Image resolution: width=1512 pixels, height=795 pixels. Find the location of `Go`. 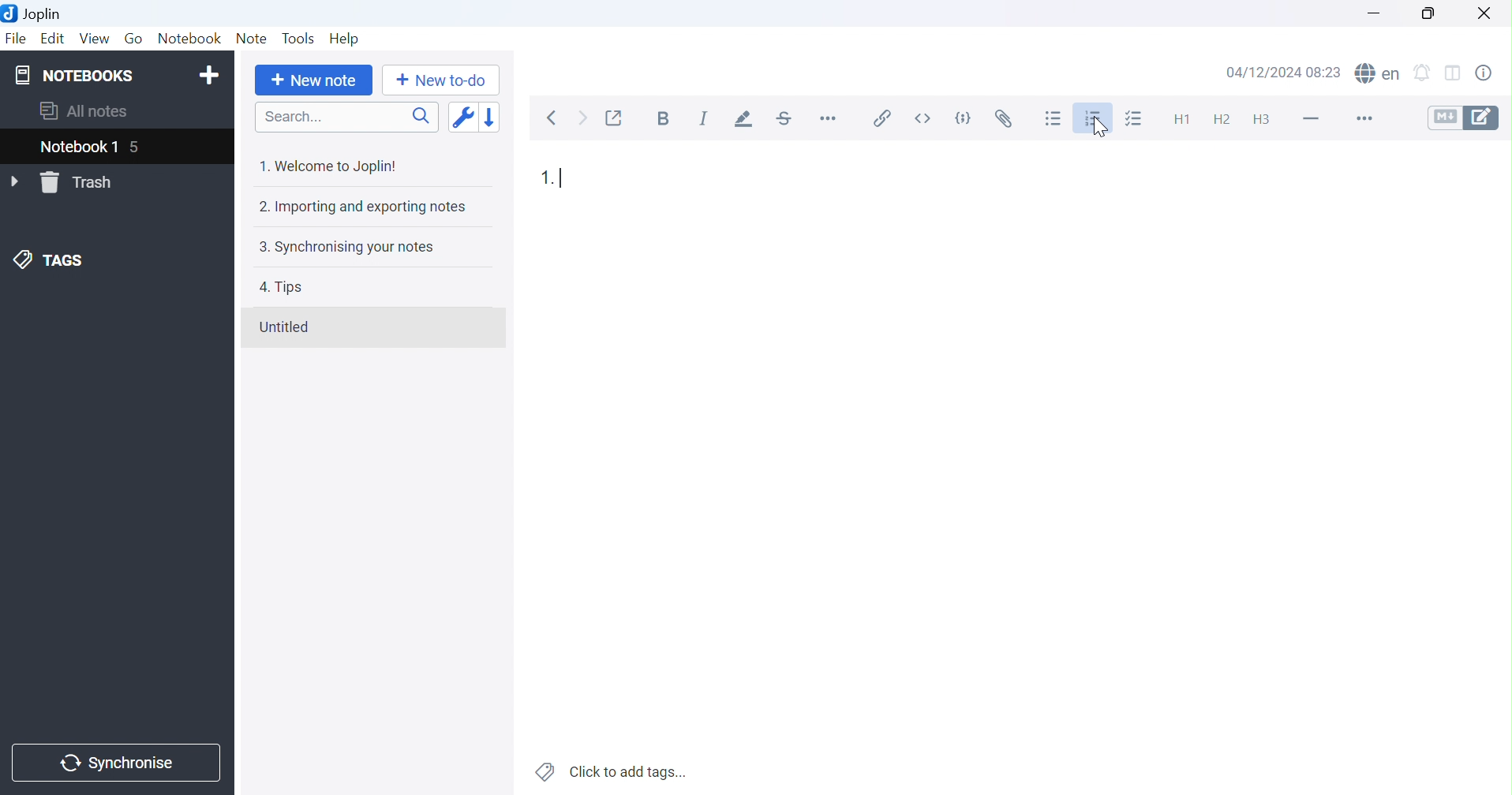

Go is located at coordinates (135, 39).